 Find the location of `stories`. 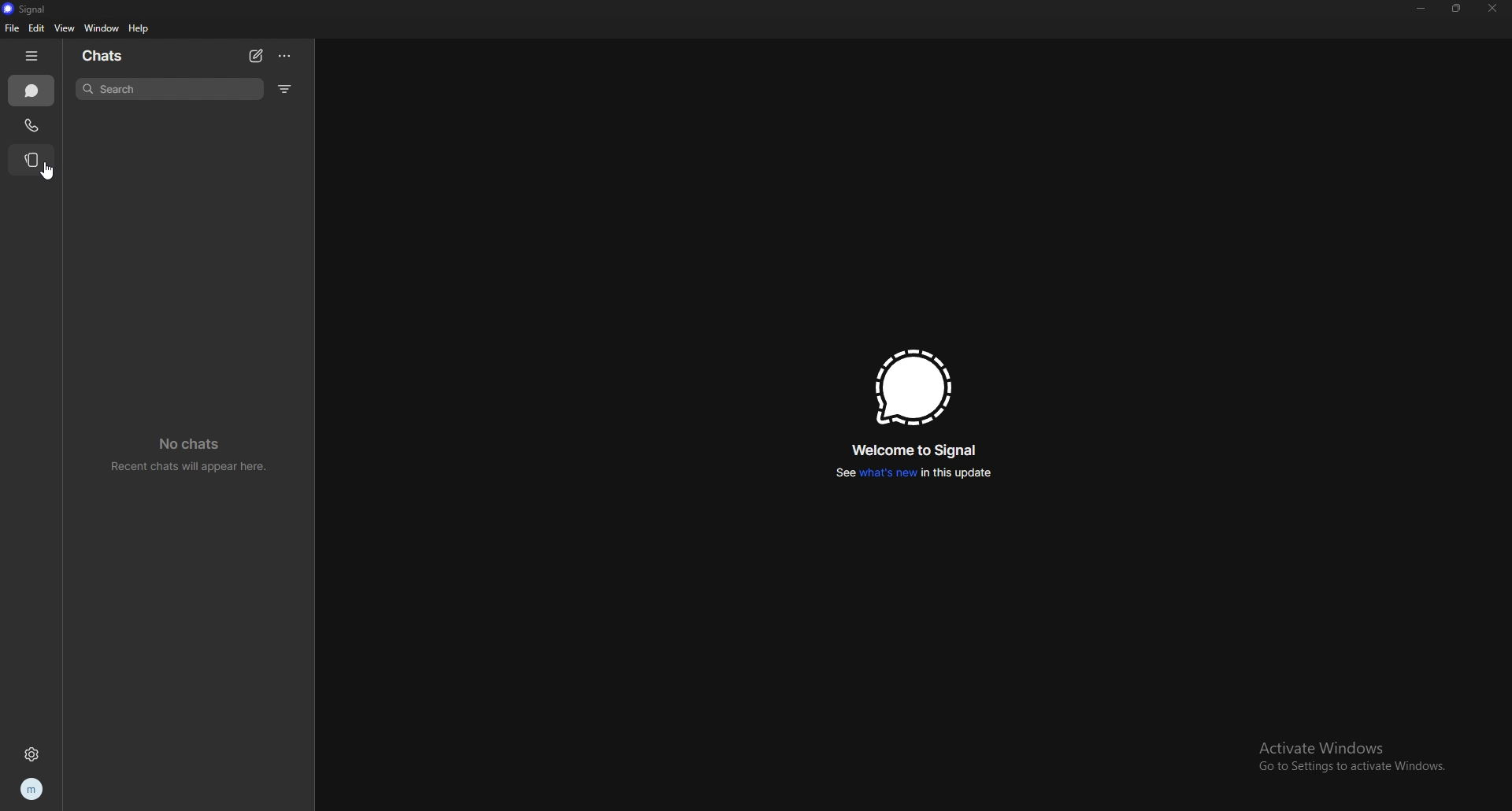

stories is located at coordinates (33, 160).